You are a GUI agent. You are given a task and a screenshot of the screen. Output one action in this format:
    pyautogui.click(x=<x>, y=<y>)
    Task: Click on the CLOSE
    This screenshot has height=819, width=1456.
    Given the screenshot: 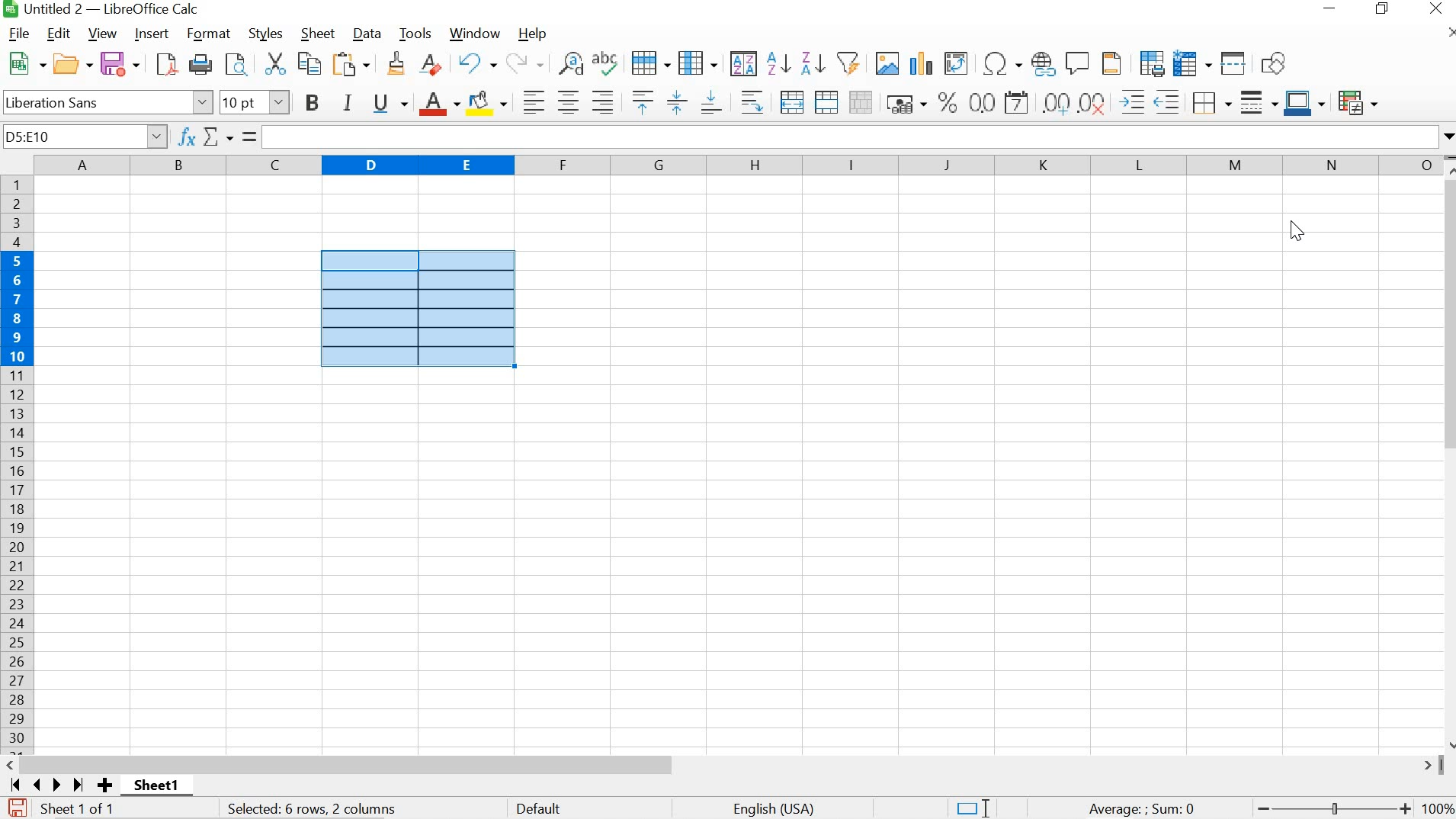 What is the action you would take?
    pyautogui.click(x=1451, y=32)
    